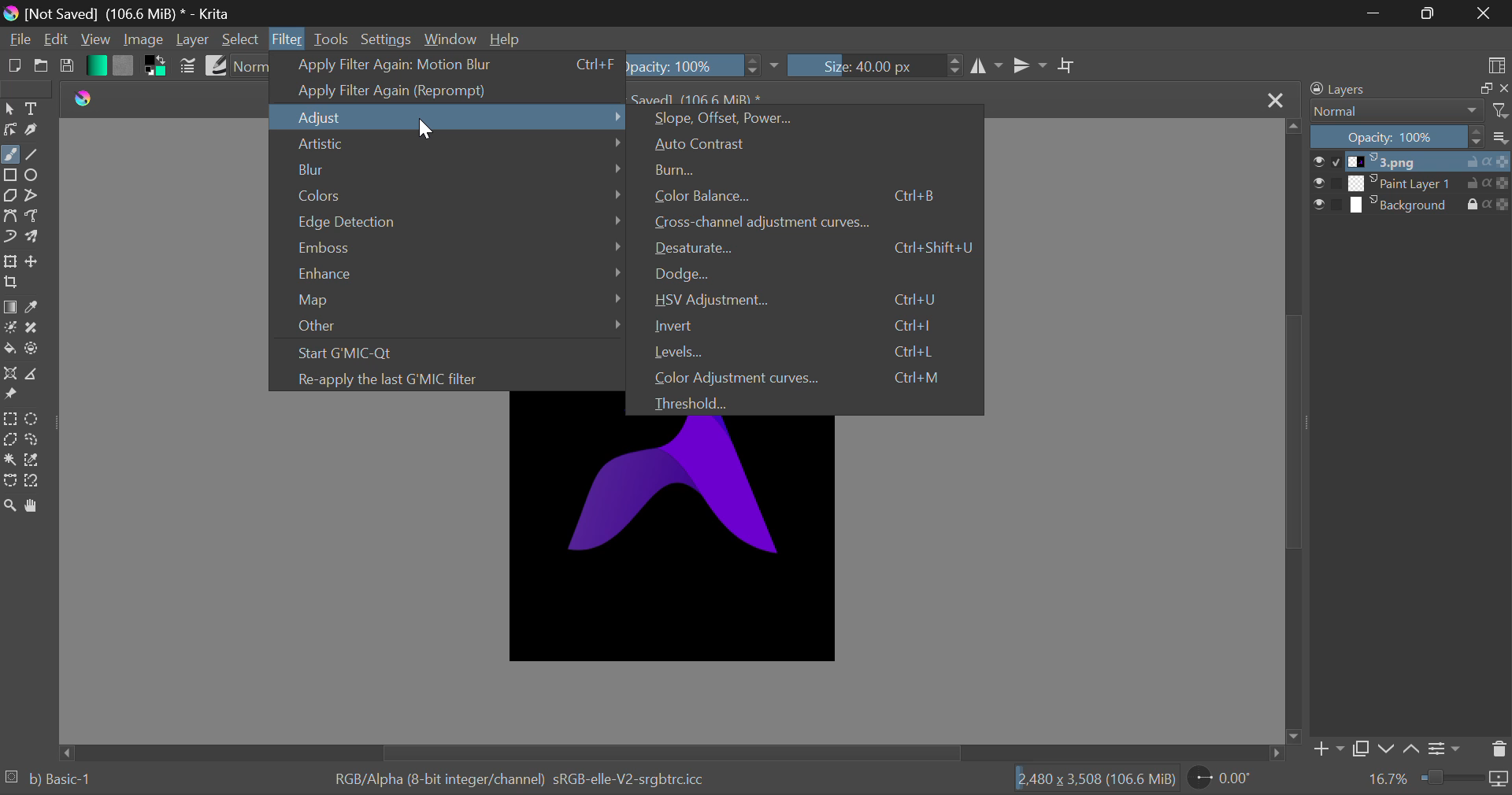  I want to click on Levels, so click(812, 350).